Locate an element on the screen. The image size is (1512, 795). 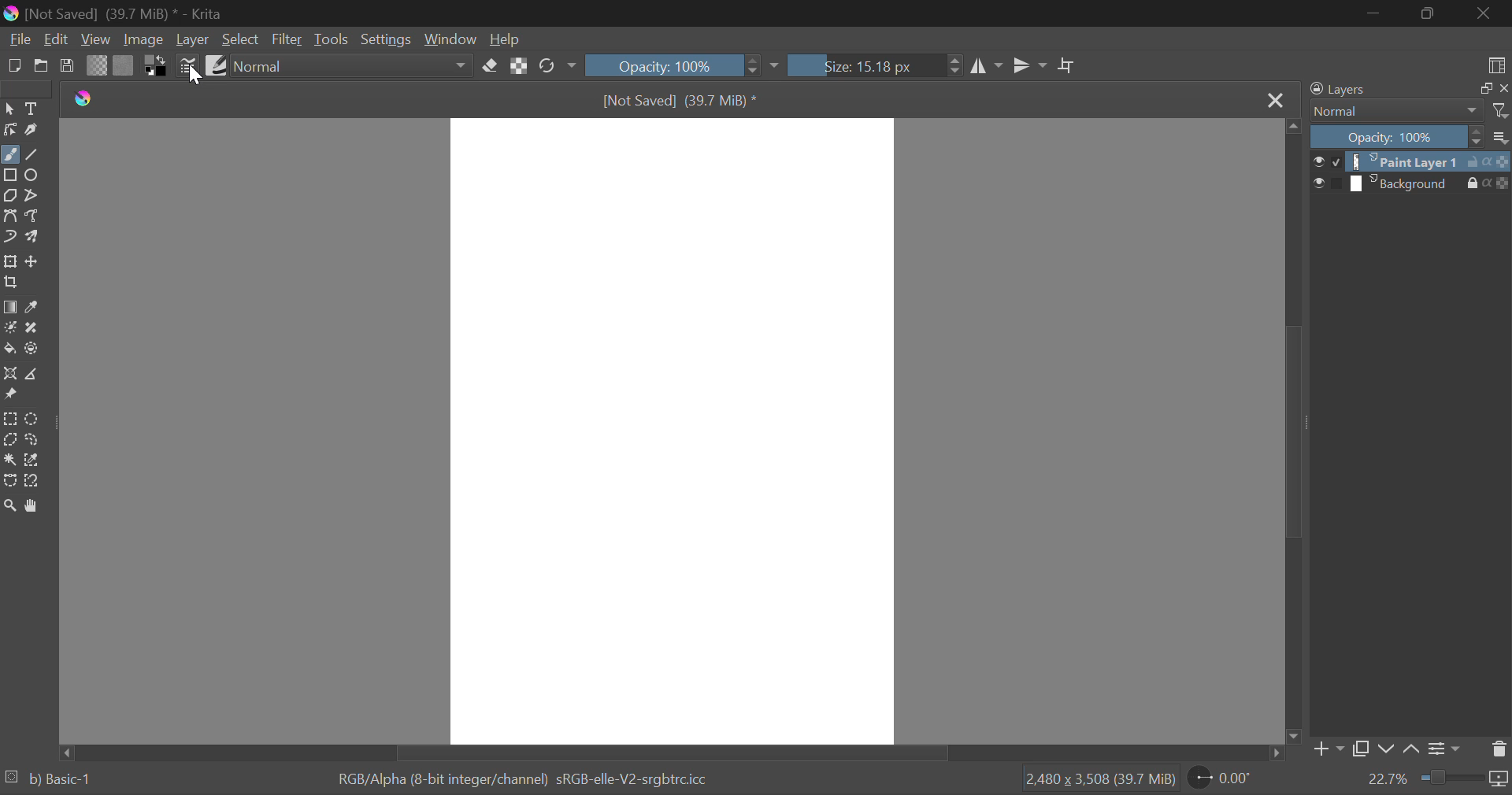
Fill Gradient is located at coordinates (9, 305).